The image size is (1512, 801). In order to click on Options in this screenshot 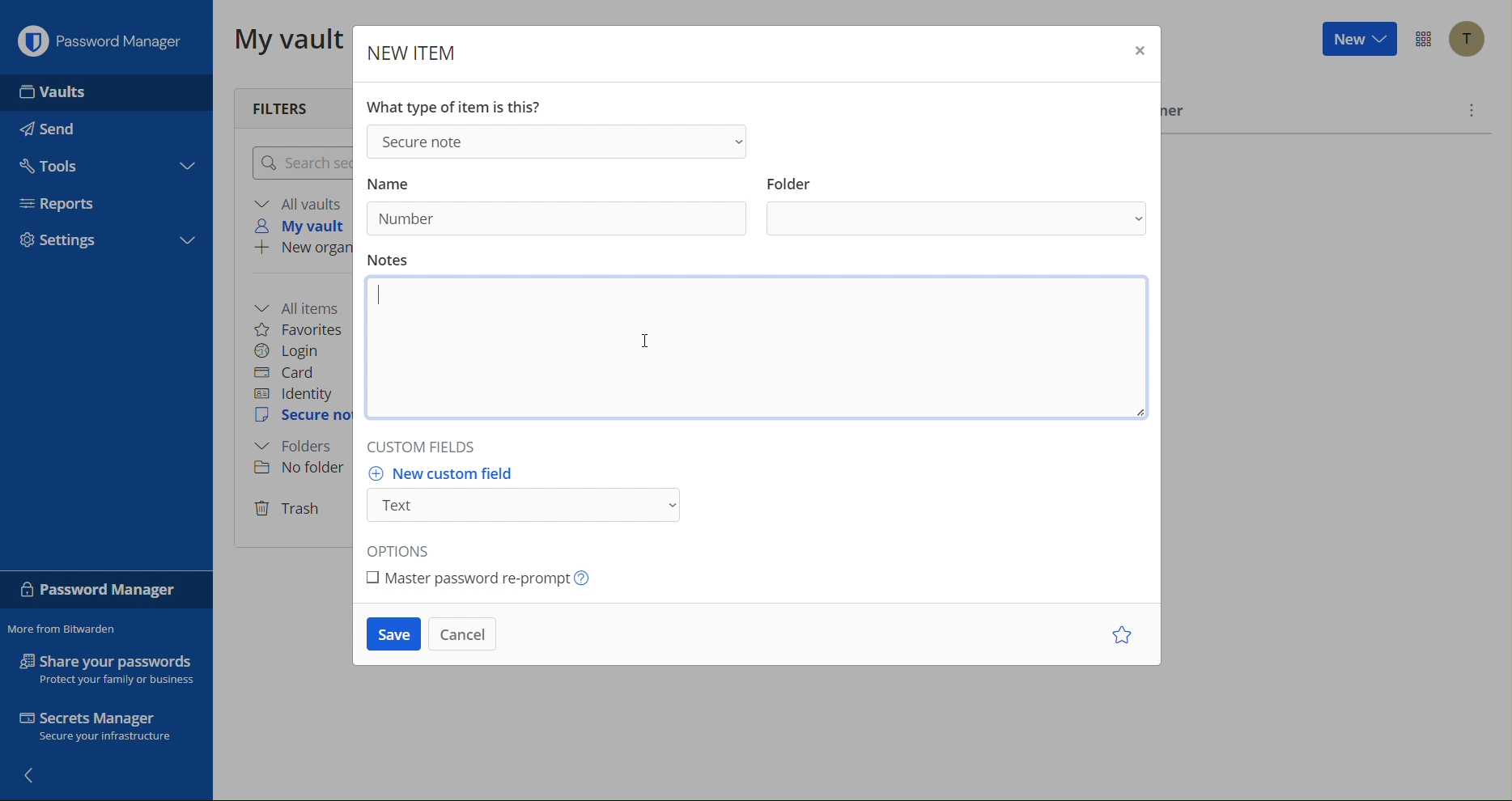, I will do `click(1421, 40)`.